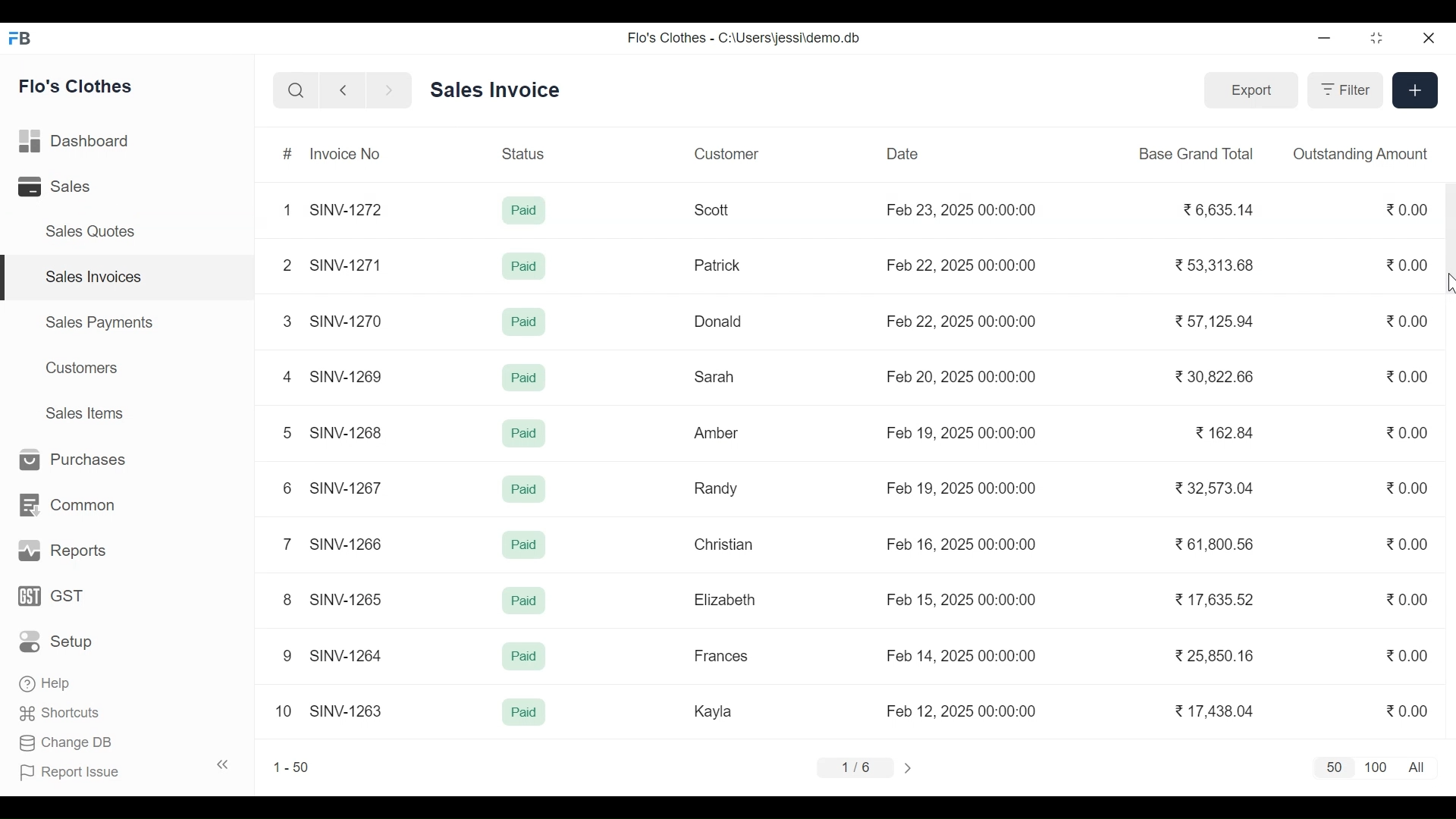 This screenshot has height=819, width=1456. Describe the element at coordinates (1377, 39) in the screenshot. I see `Restore` at that location.